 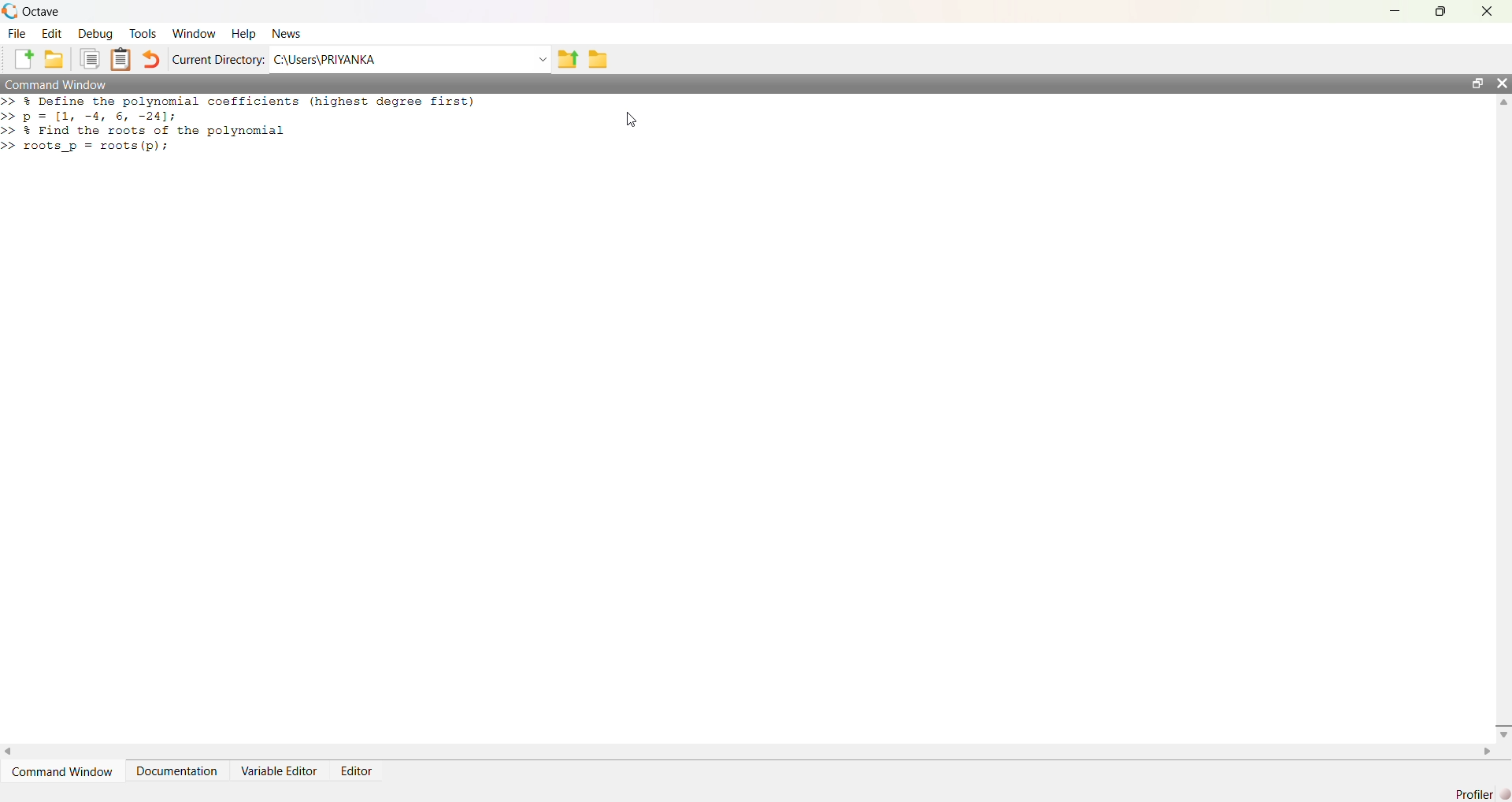 I want to click on Windows, so click(x=197, y=35).